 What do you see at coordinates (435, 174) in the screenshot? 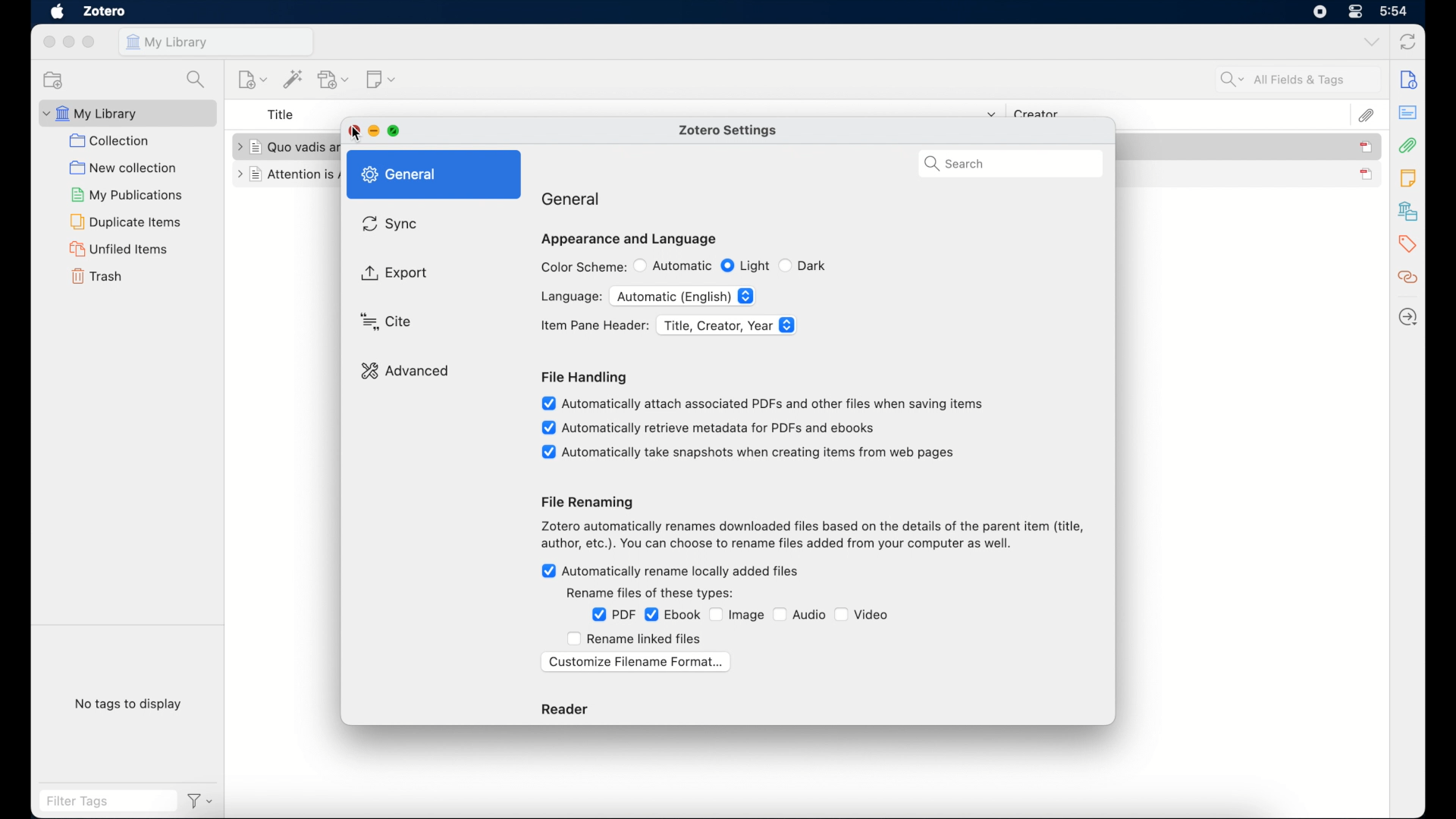
I see `general highlighted` at bounding box center [435, 174].